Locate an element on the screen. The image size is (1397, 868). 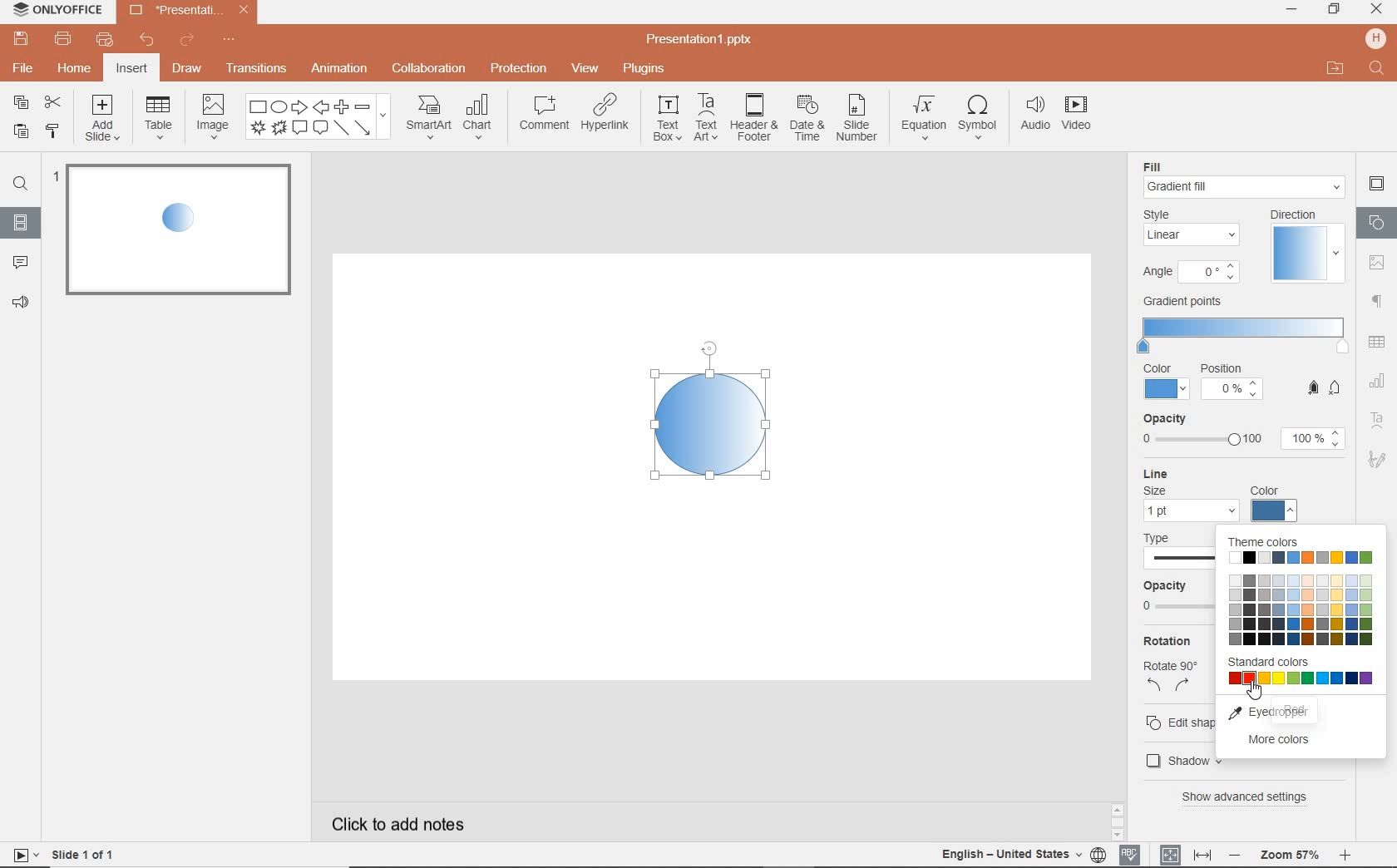
line color is located at coordinates (1276, 509).